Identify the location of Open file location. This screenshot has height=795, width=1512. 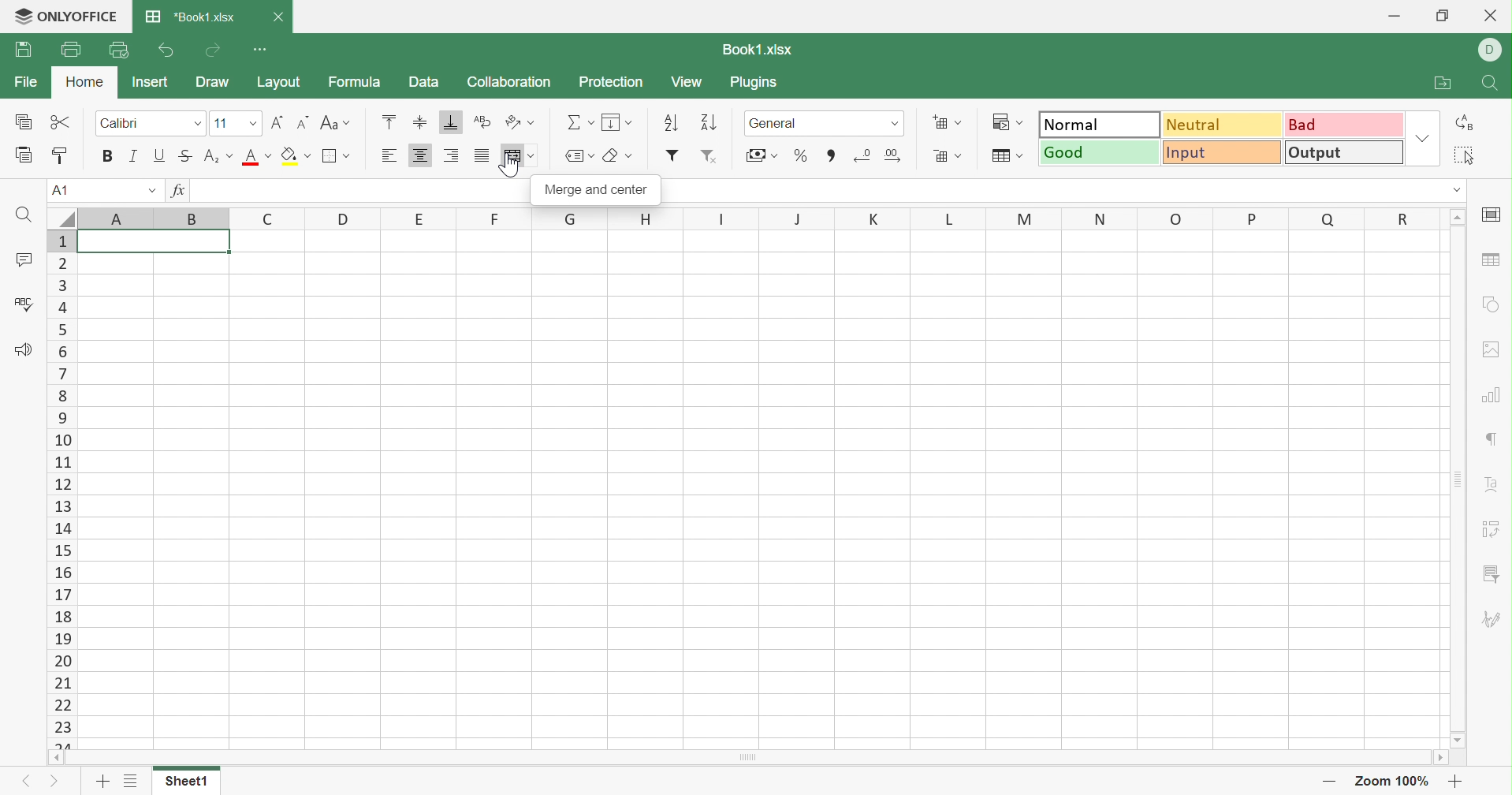
(1443, 84).